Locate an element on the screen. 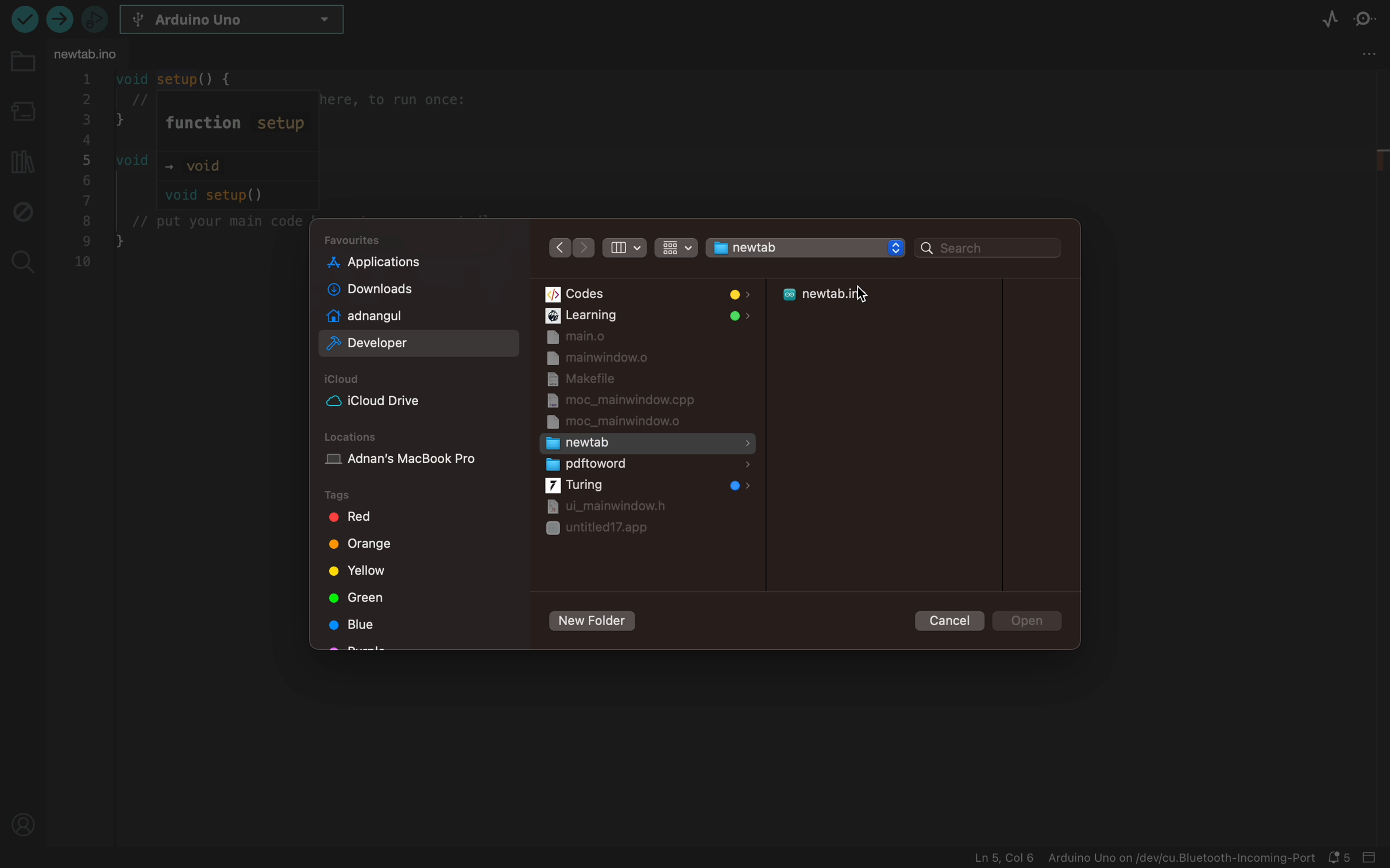 The image size is (1390, 868). moc window is located at coordinates (623, 401).